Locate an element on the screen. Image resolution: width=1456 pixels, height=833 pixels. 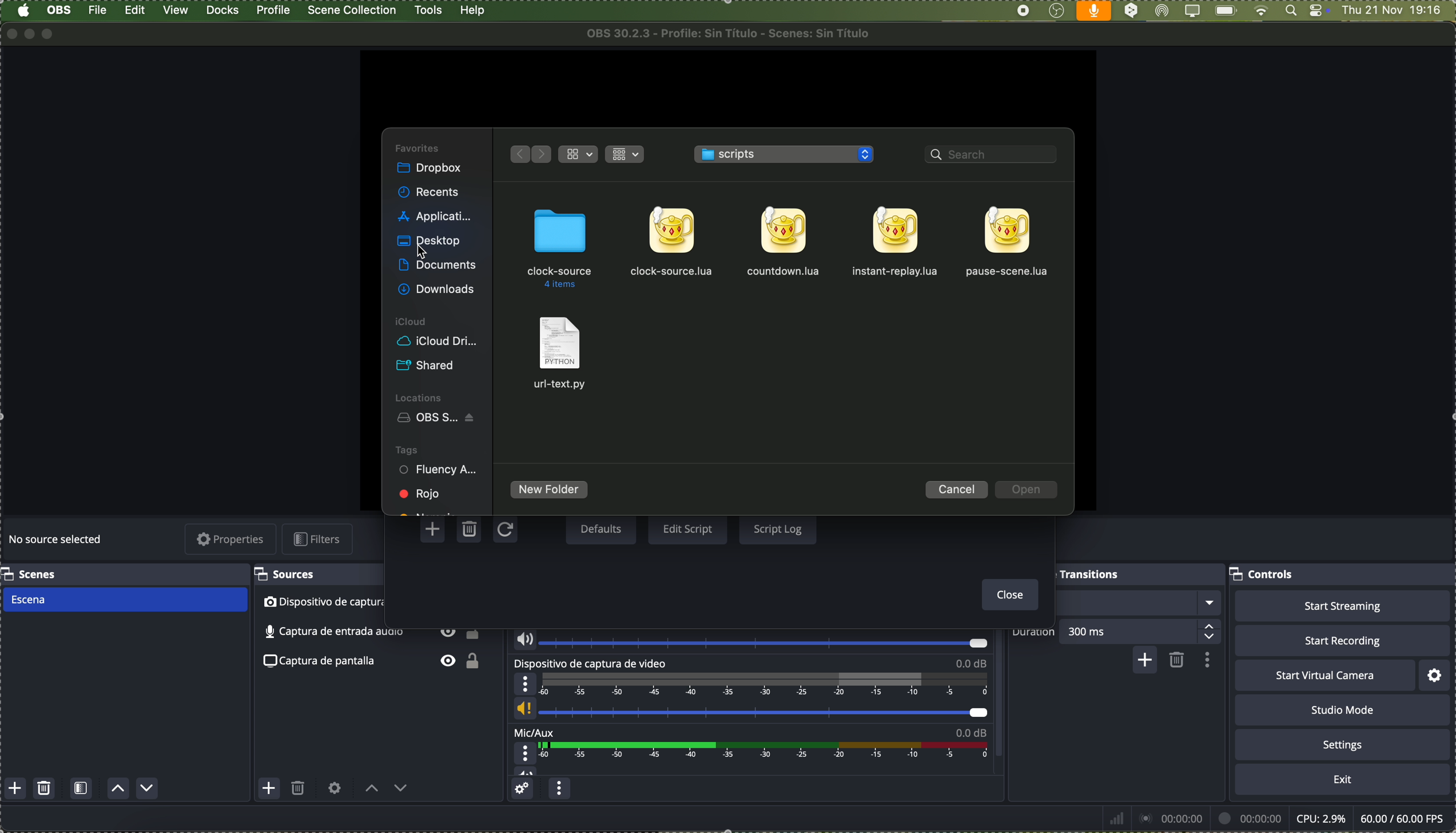
scenes is located at coordinates (31, 574).